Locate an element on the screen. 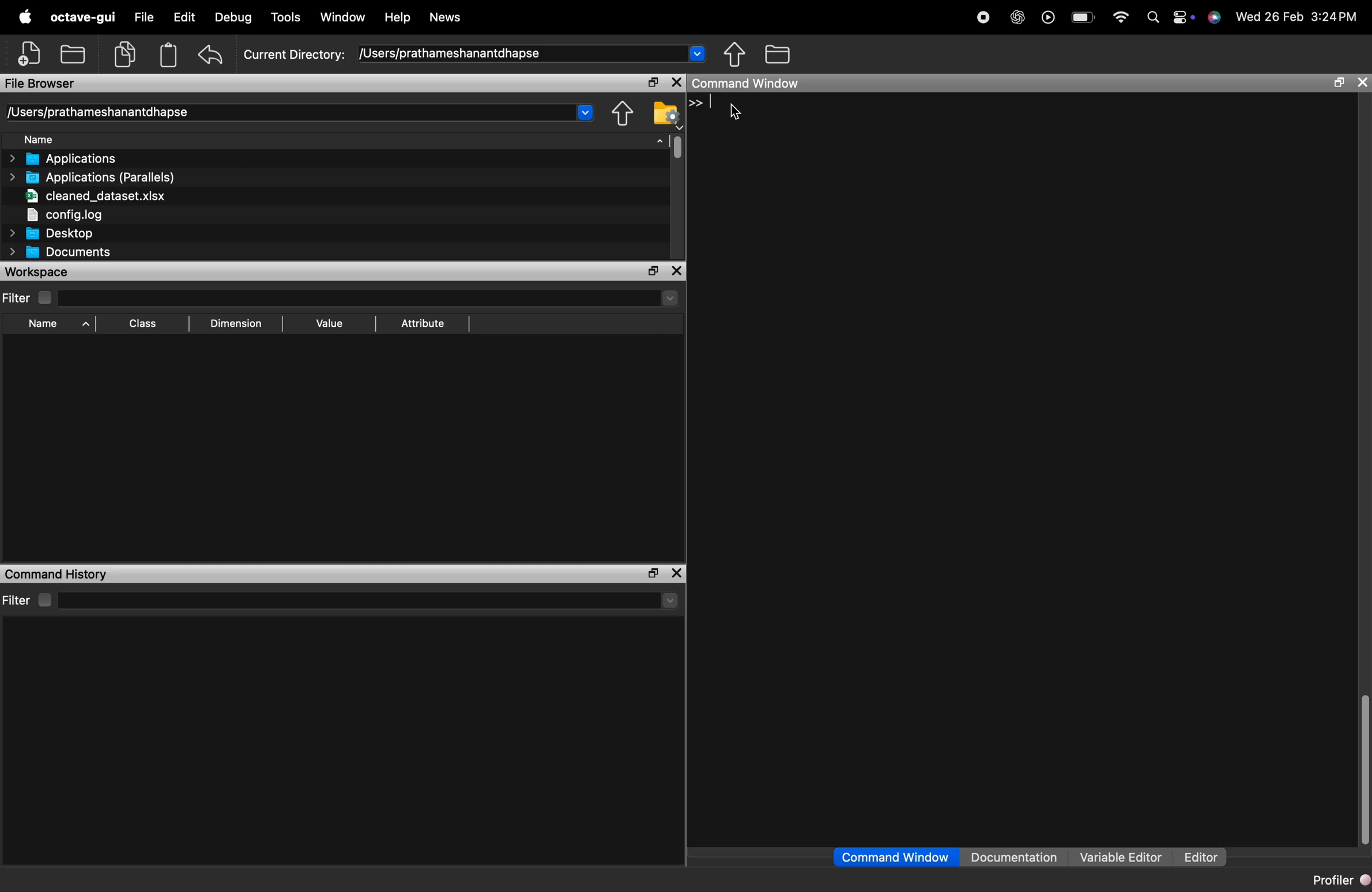  News is located at coordinates (446, 18).